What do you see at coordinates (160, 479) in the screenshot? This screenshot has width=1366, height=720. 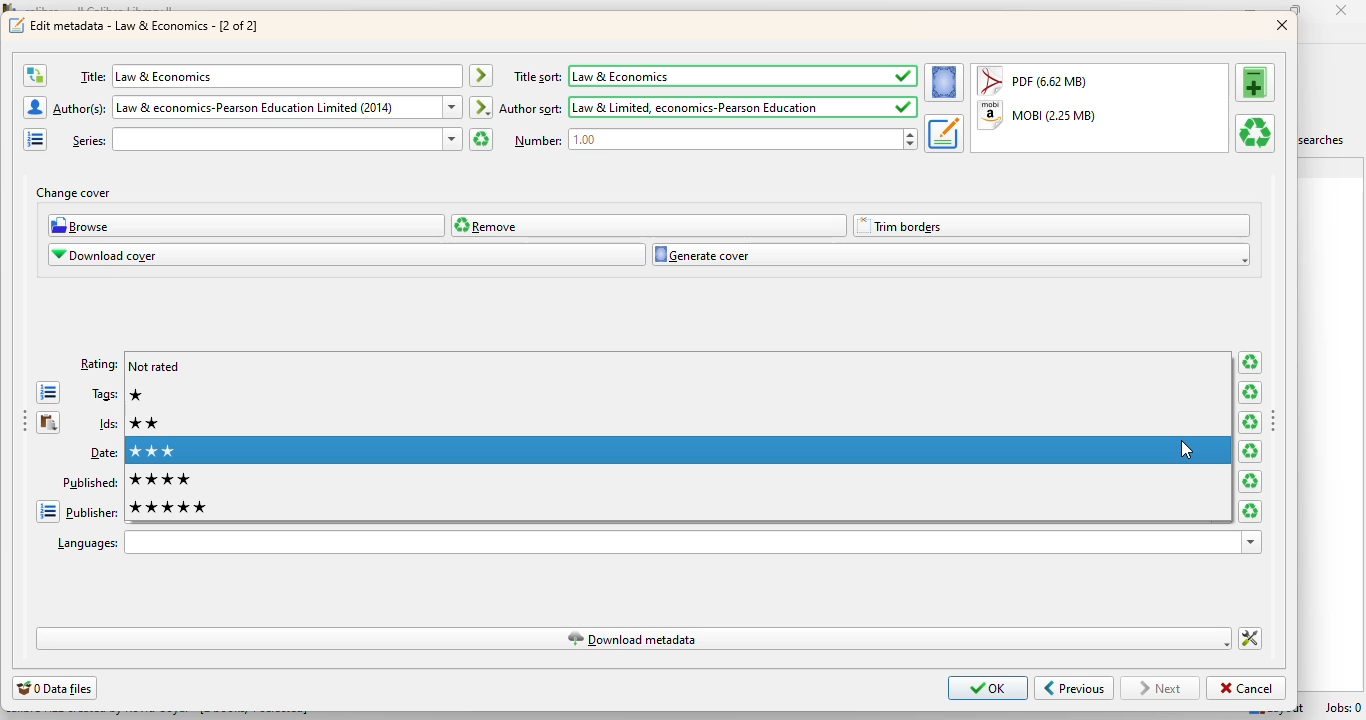 I see `4 stars` at bounding box center [160, 479].